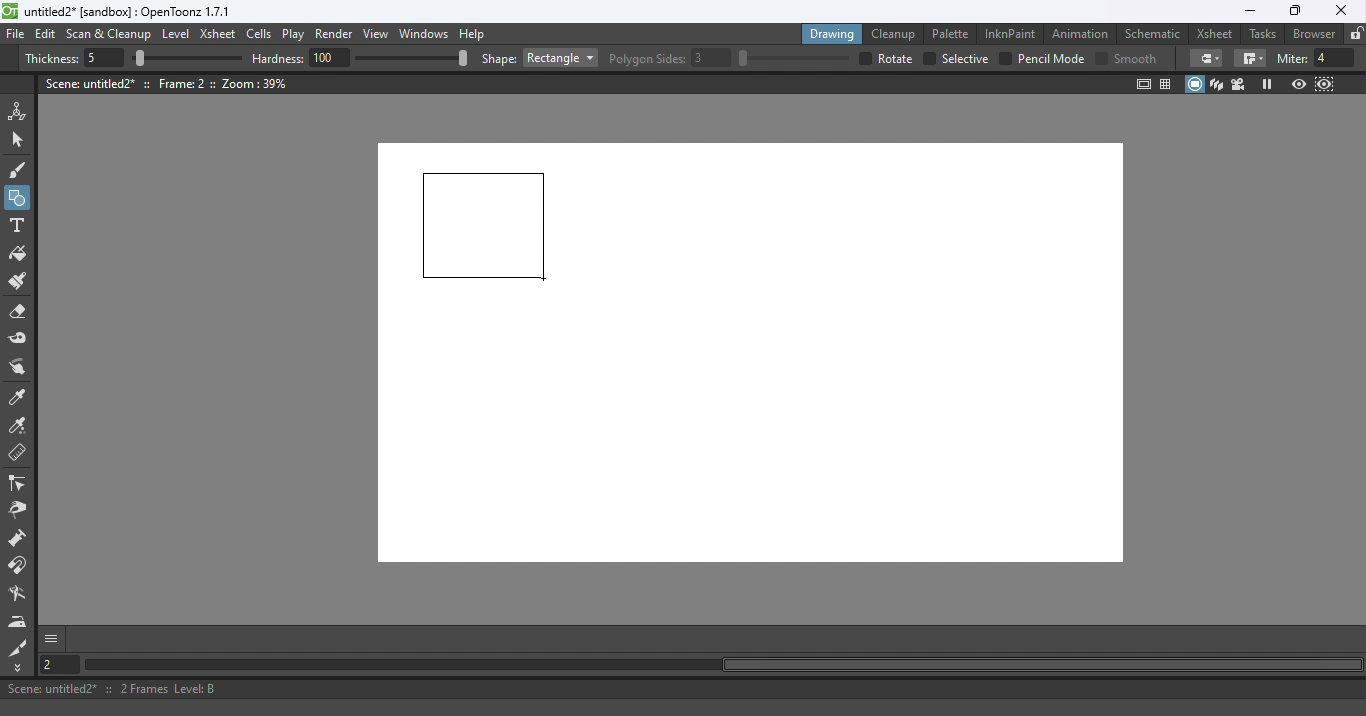 This screenshot has height=716, width=1366. Describe the element at coordinates (1005, 58) in the screenshot. I see `checkbox` at that location.